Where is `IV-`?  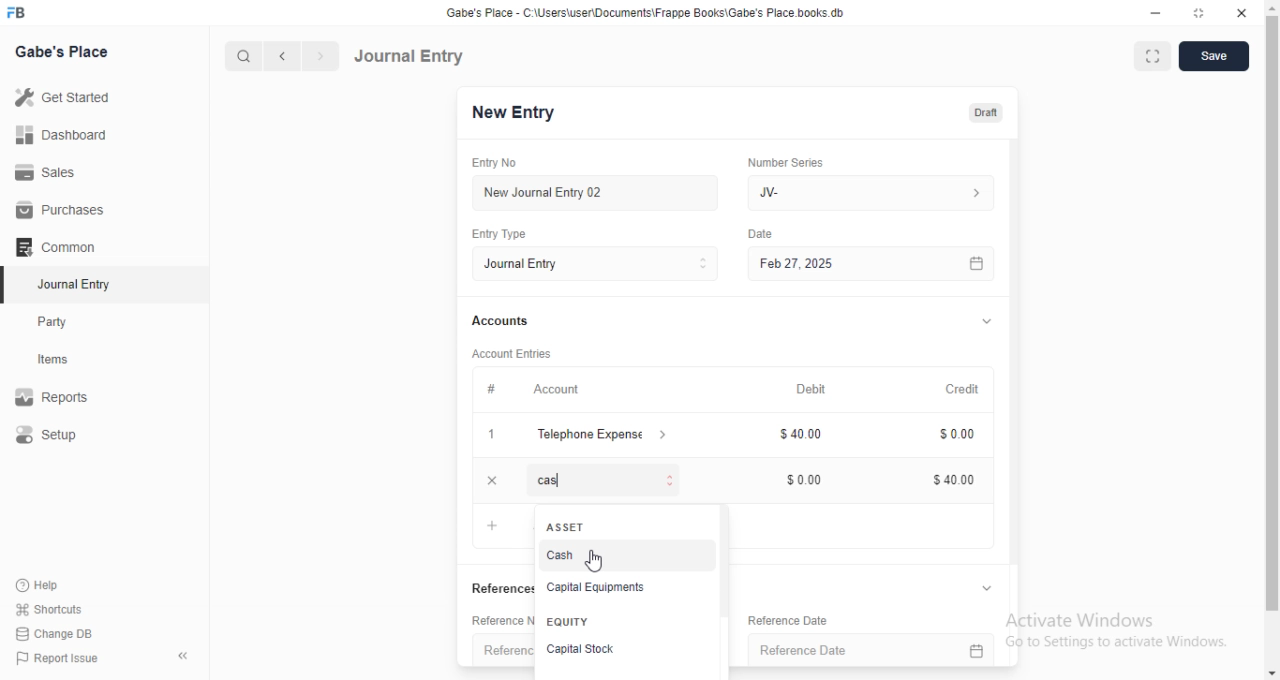 IV- is located at coordinates (877, 192).